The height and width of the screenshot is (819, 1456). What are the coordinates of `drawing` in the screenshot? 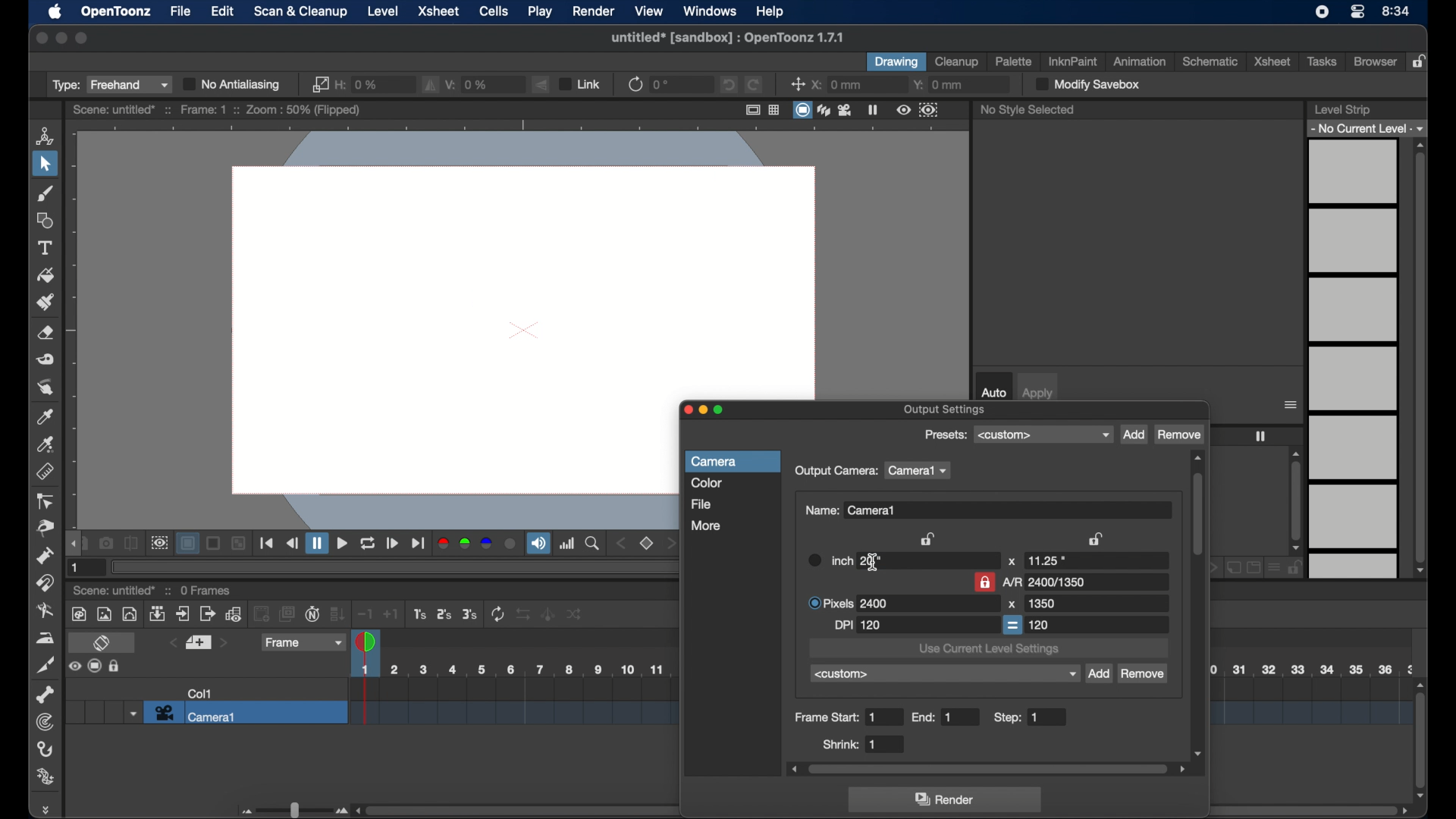 It's located at (896, 62).